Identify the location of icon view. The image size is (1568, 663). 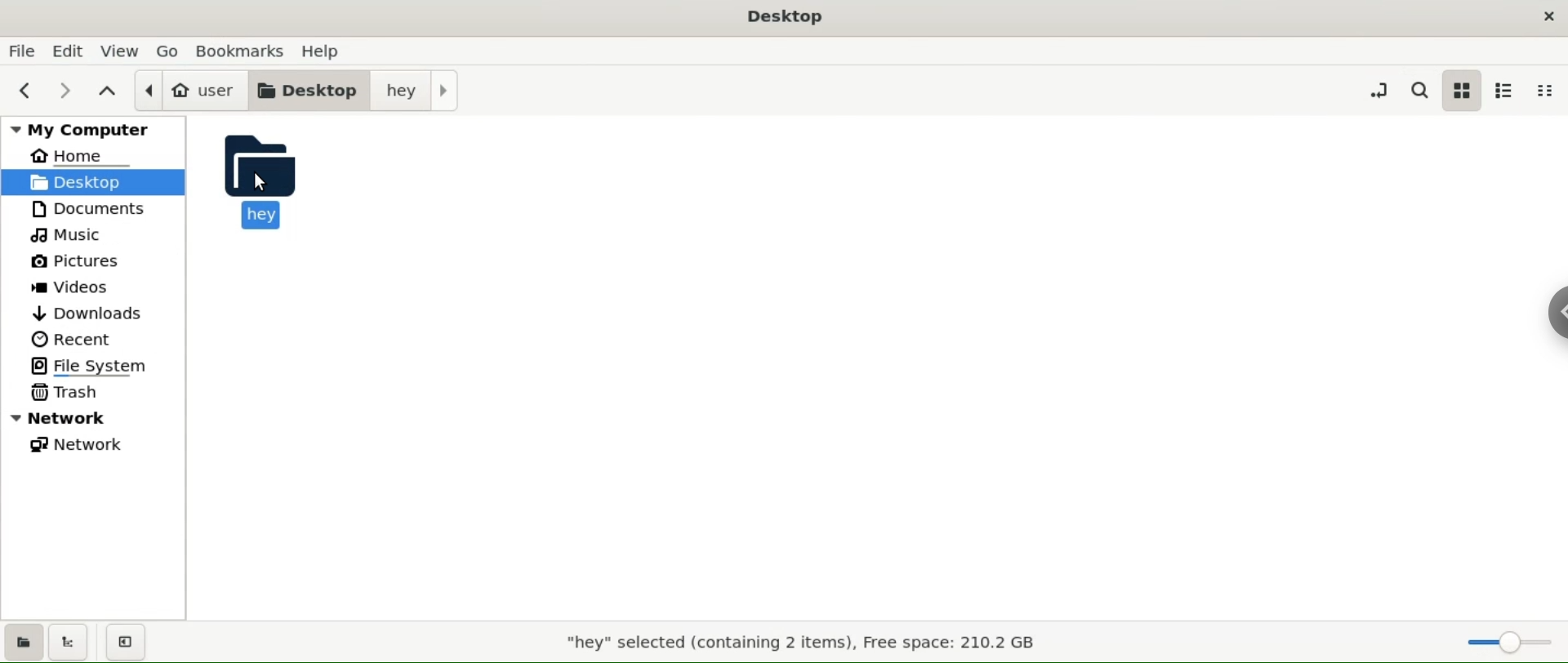
(1461, 91).